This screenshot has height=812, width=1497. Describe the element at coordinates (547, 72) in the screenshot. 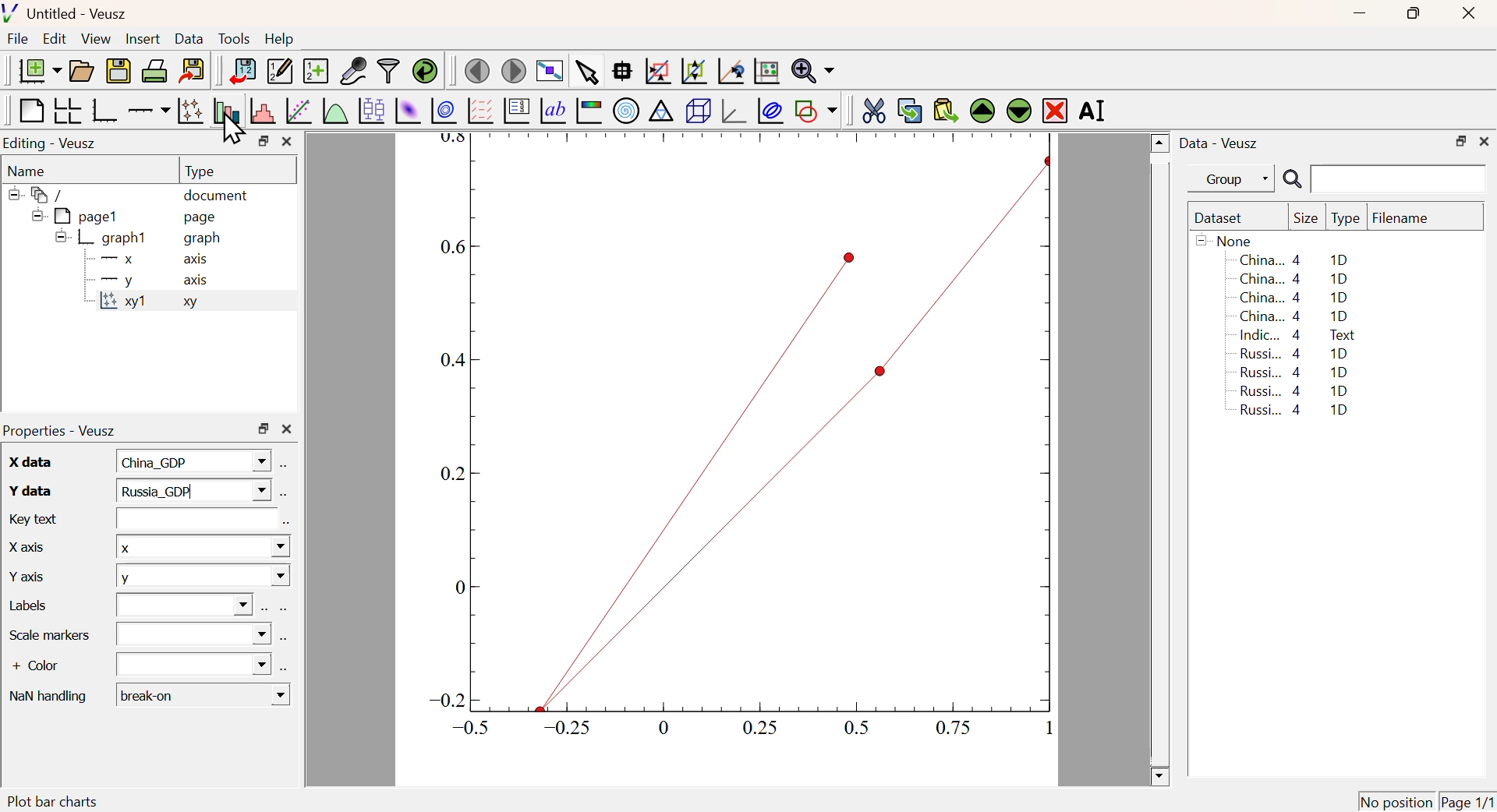

I see `View plot fullscreen` at that location.